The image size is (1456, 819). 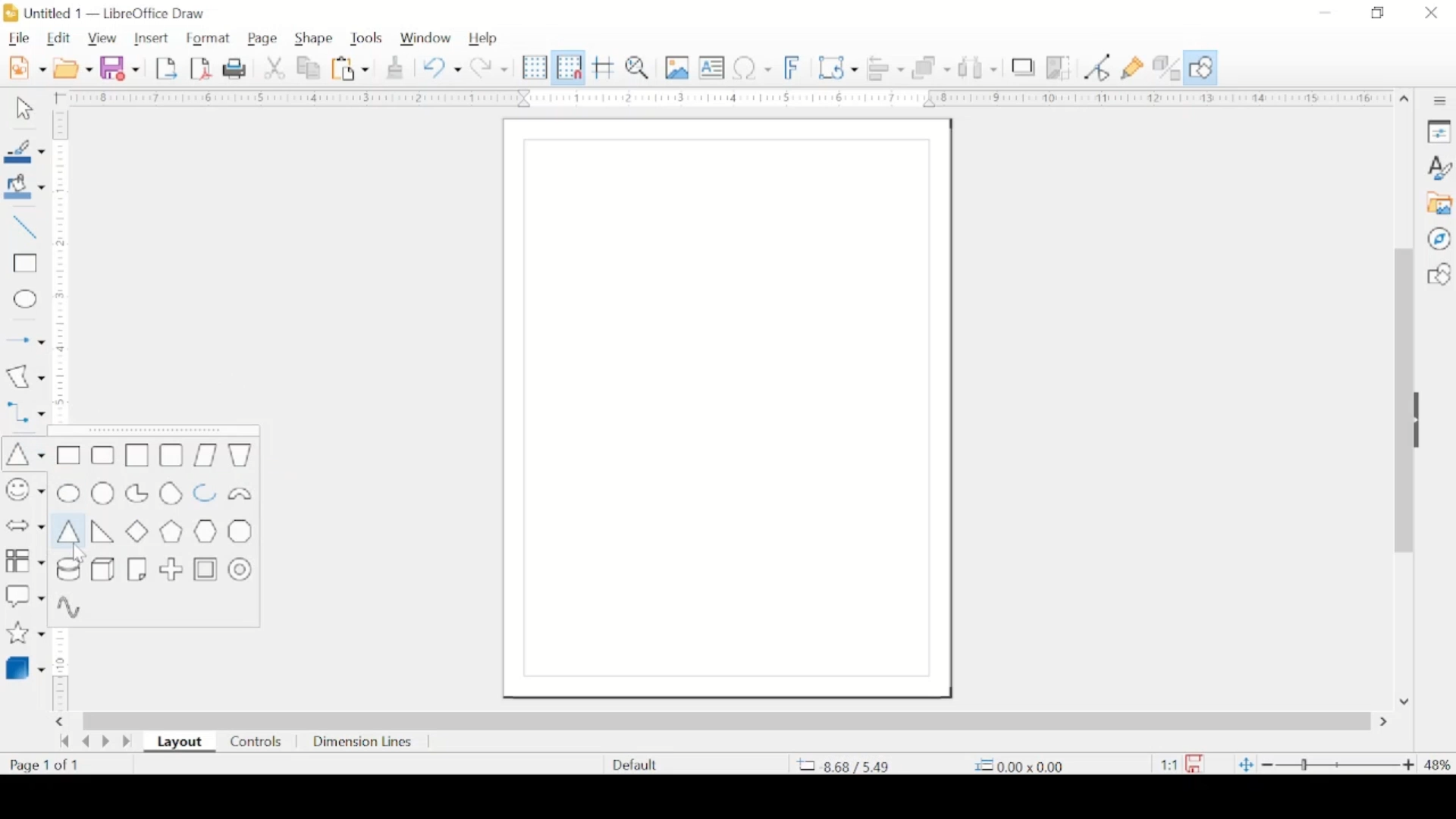 I want to click on rectangle, so click(x=67, y=455).